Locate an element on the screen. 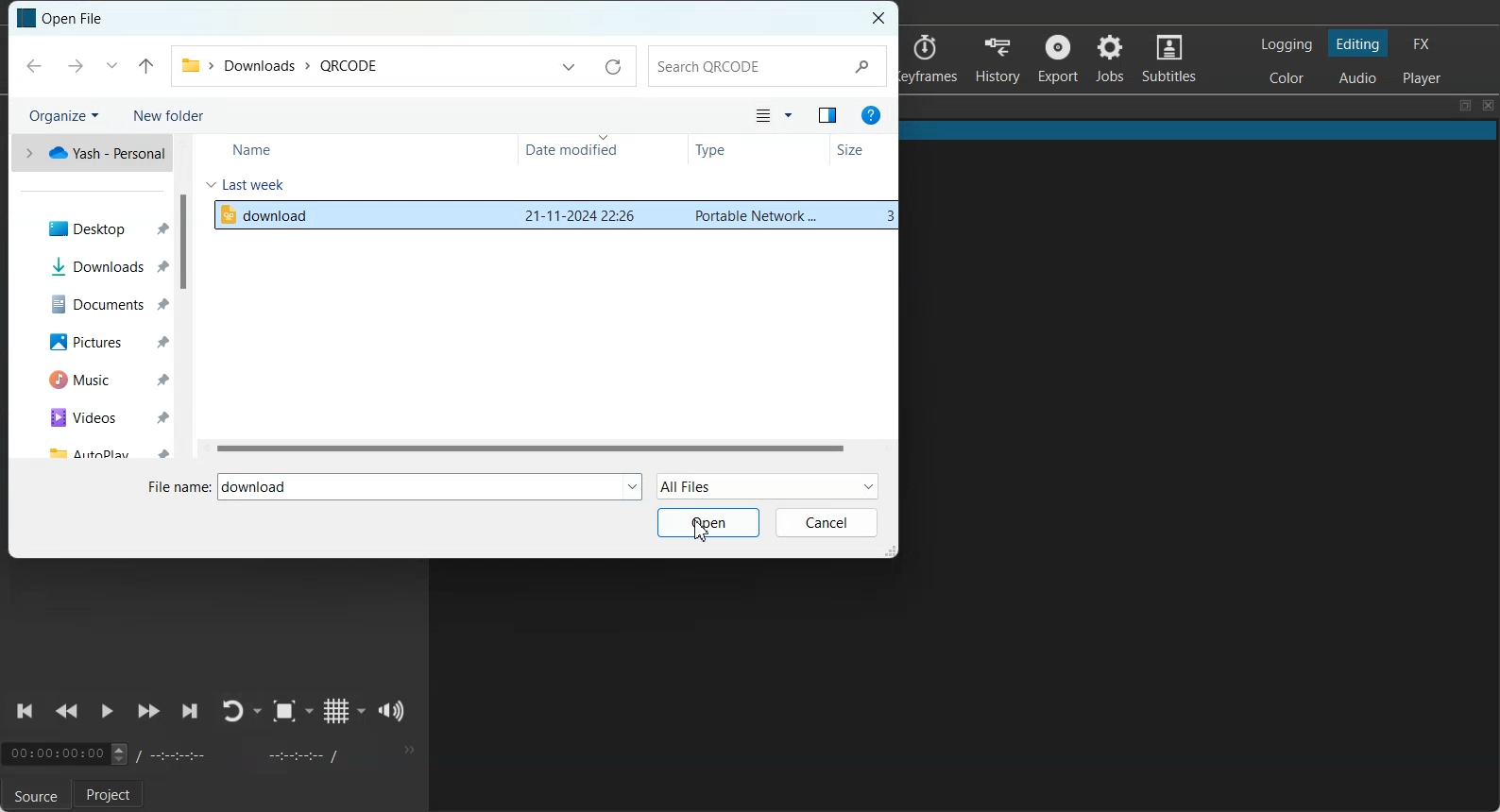 The width and height of the screenshot is (1500, 812). Search Bar is located at coordinates (771, 65).